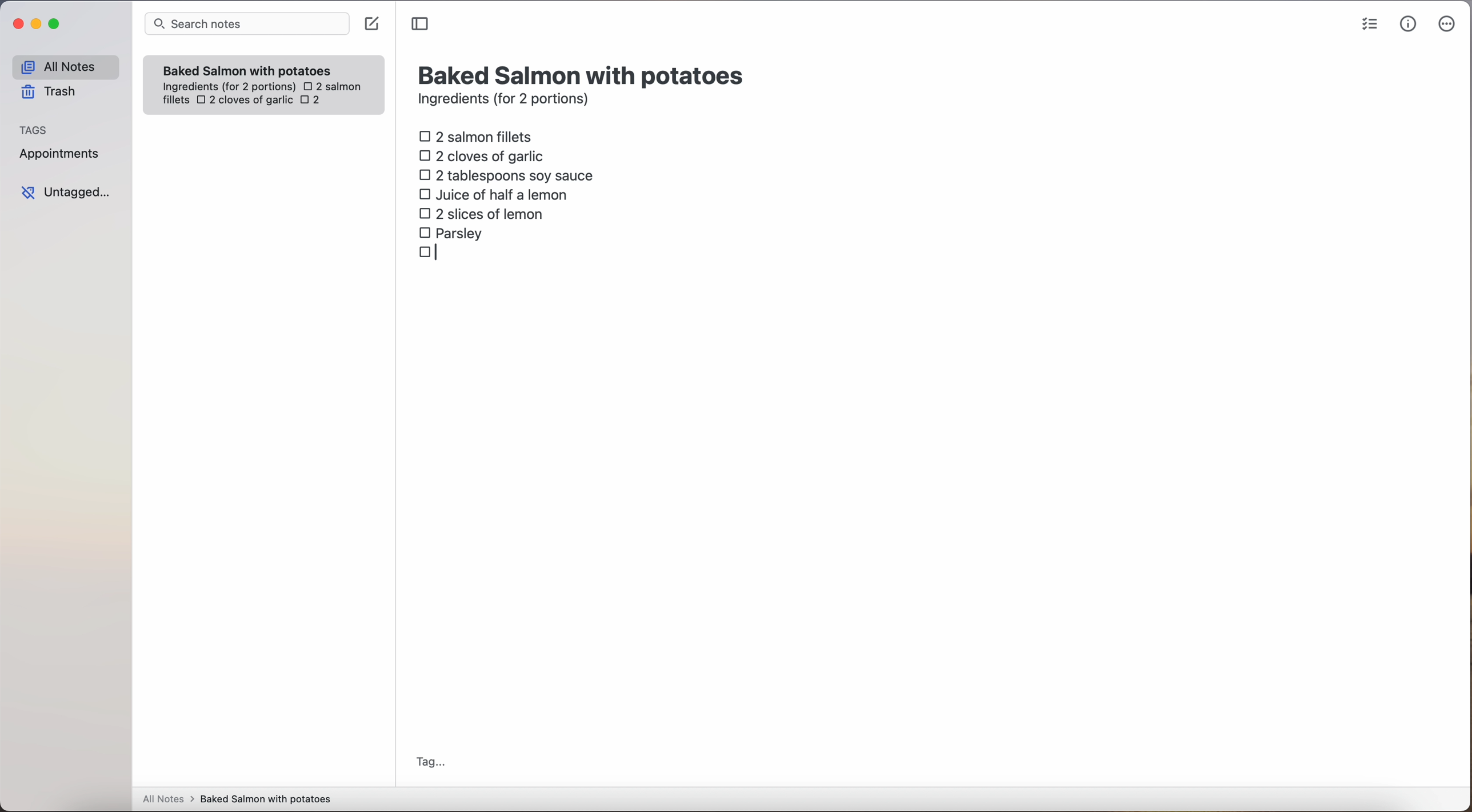 Image resolution: width=1472 pixels, height=812 pixels. I want to click on parsley, so click(451, 232).